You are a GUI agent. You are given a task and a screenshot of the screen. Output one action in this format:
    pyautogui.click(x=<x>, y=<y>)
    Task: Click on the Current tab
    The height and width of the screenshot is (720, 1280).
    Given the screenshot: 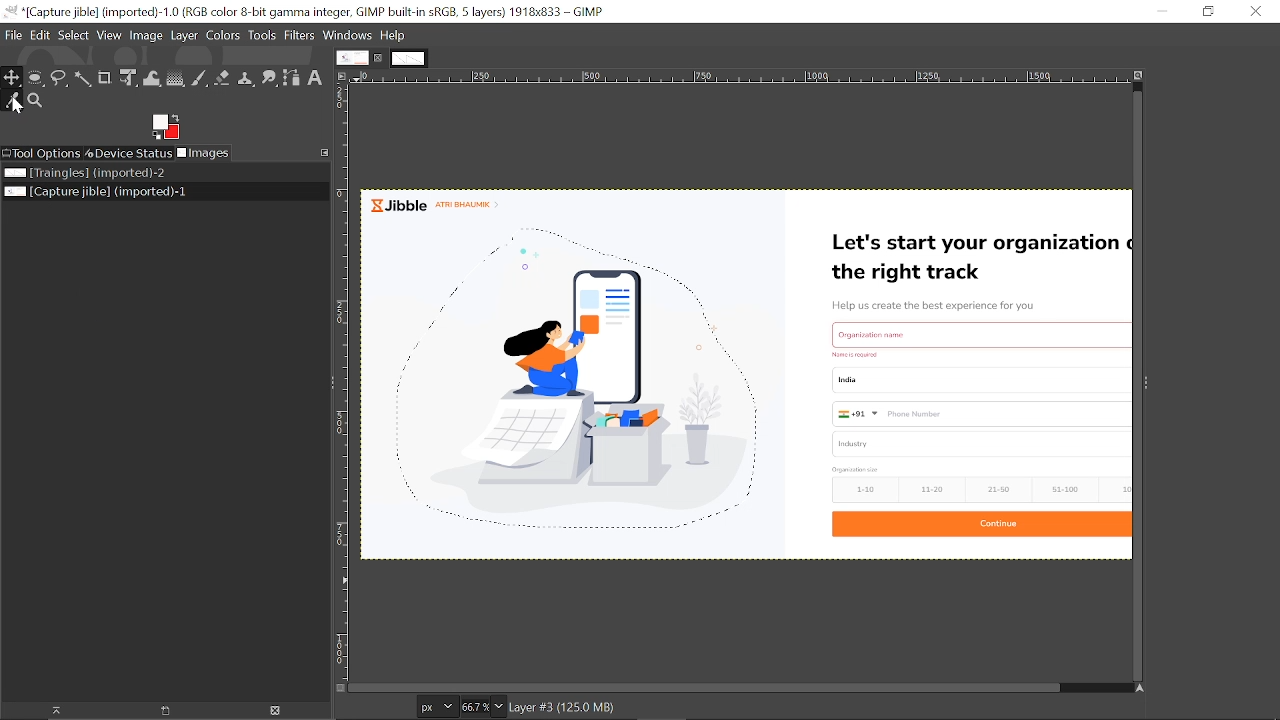 What is the action you would take?
    pyautogui.click(x=351, y=57)
    